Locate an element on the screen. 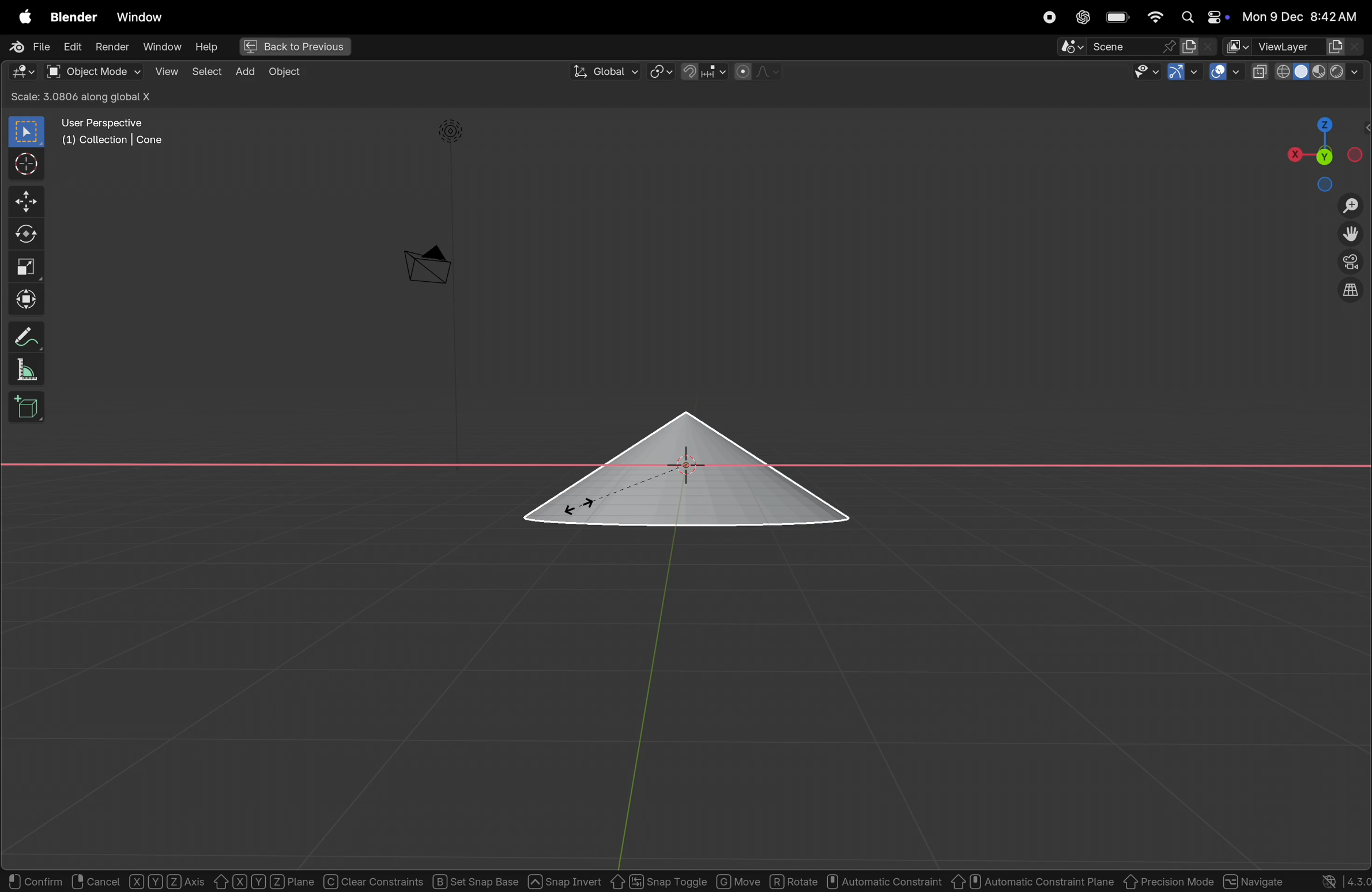  snap invert is located at coordinates (565, 879).